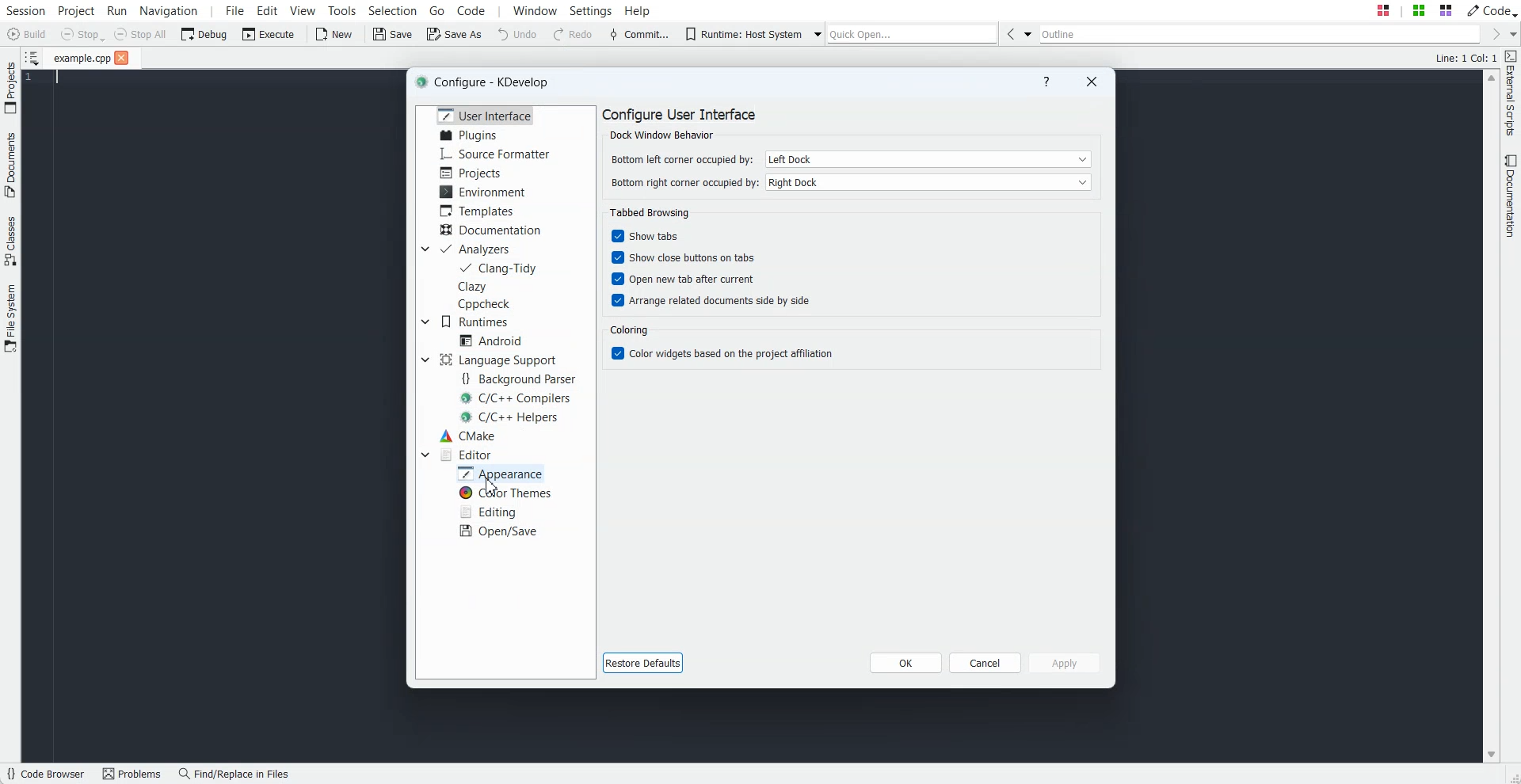  What do you see at coordinates (486, 115) in the screenshot?
I see `User Interface` at bounding box center [486, 115].